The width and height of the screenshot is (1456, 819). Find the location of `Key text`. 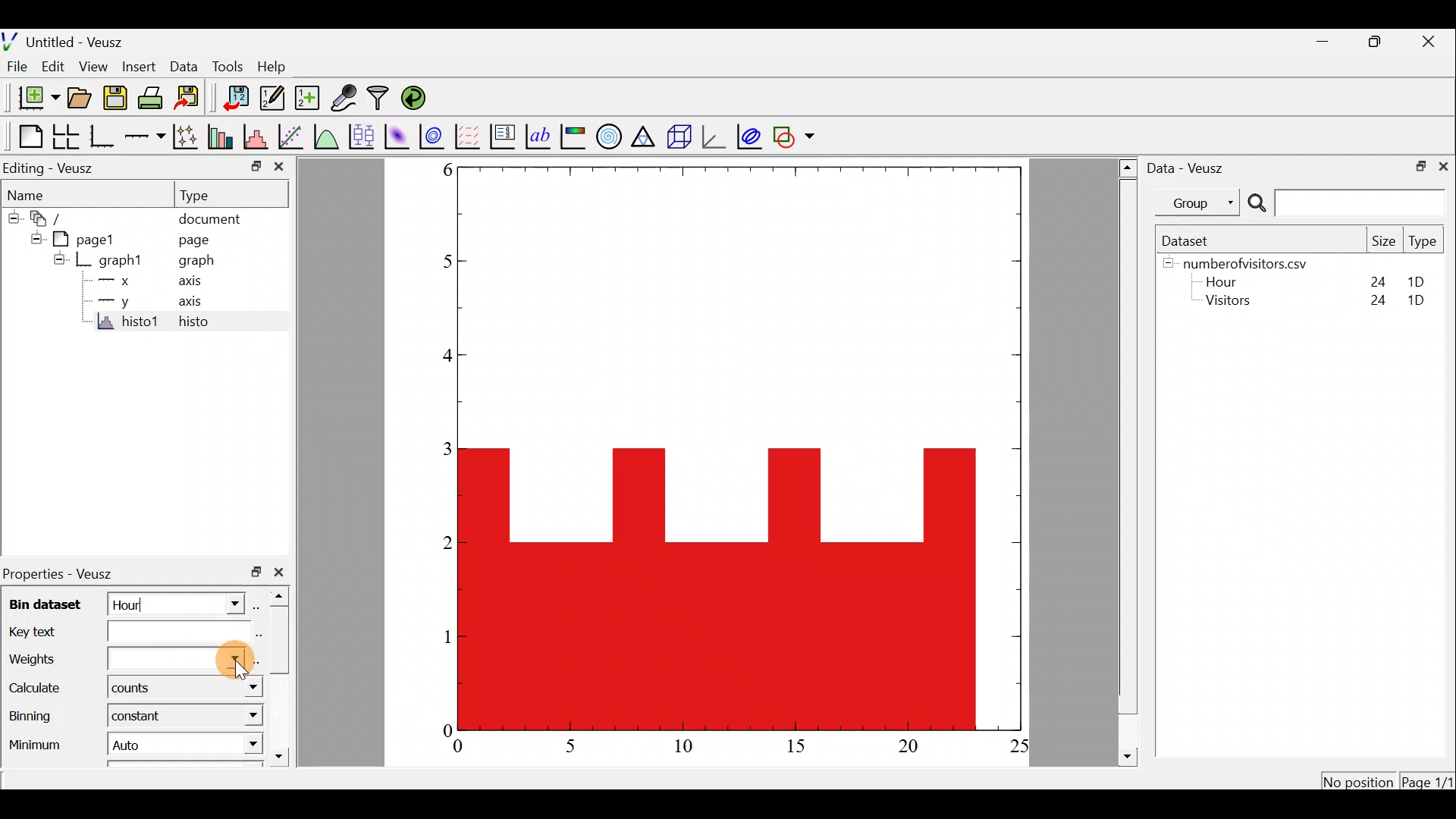

Key text is located at coordinates (123, 633).